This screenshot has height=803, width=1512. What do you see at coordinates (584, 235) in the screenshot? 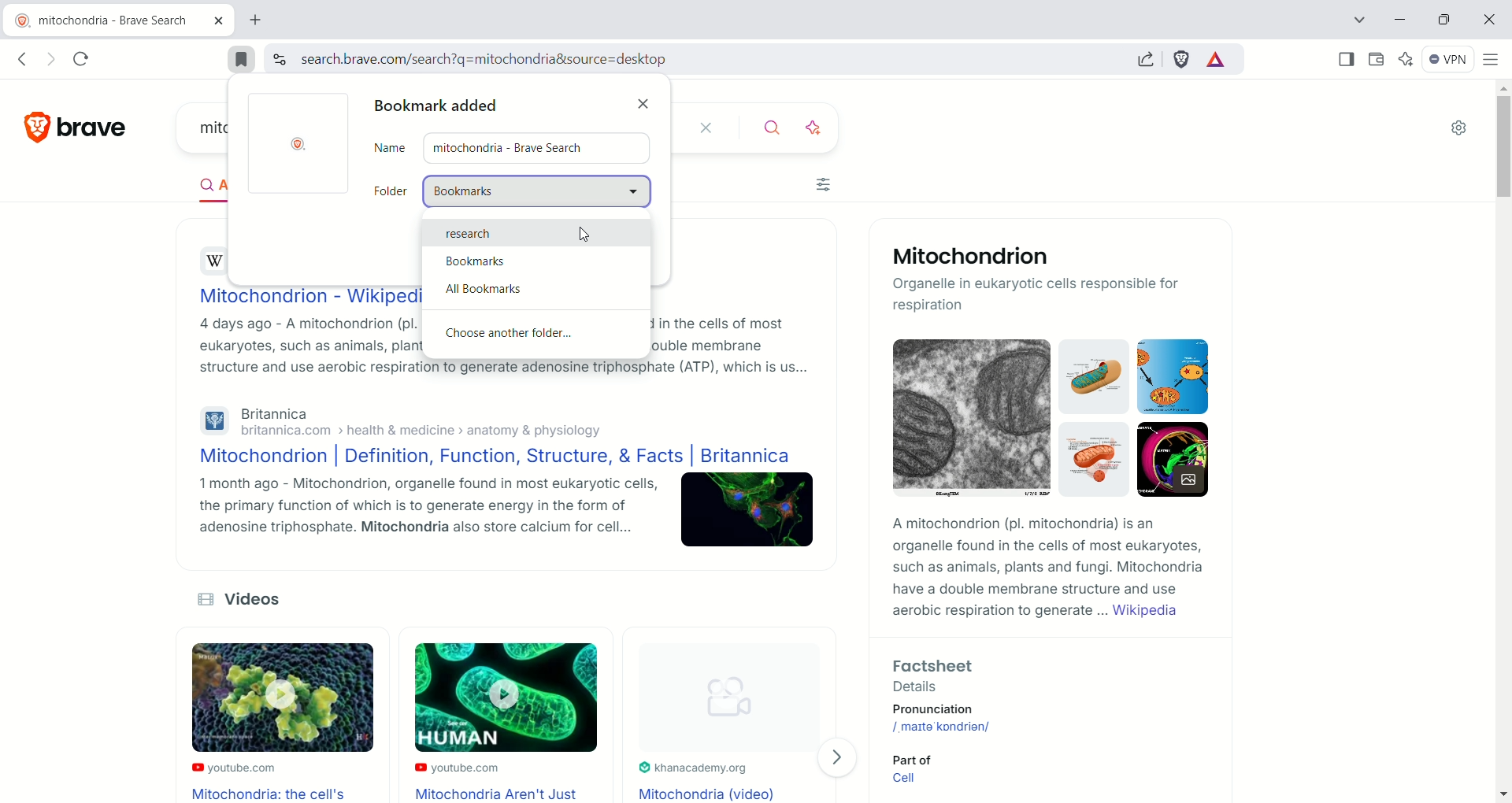
I see `cursor` at bounding box center [584, 235].